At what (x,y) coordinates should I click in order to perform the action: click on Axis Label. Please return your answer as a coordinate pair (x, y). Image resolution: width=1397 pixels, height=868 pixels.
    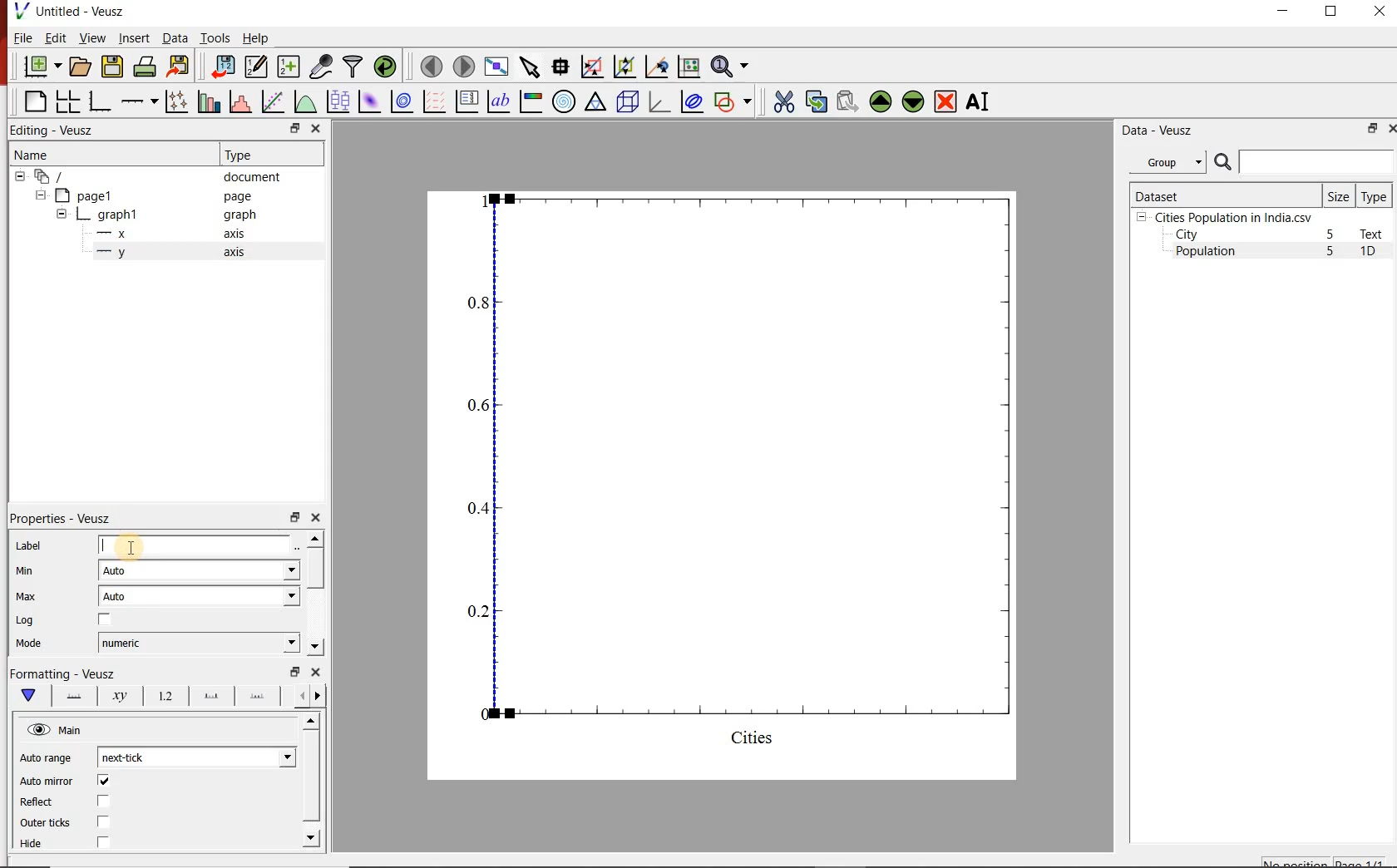
    Looking at the image, I should click on (116, 699).